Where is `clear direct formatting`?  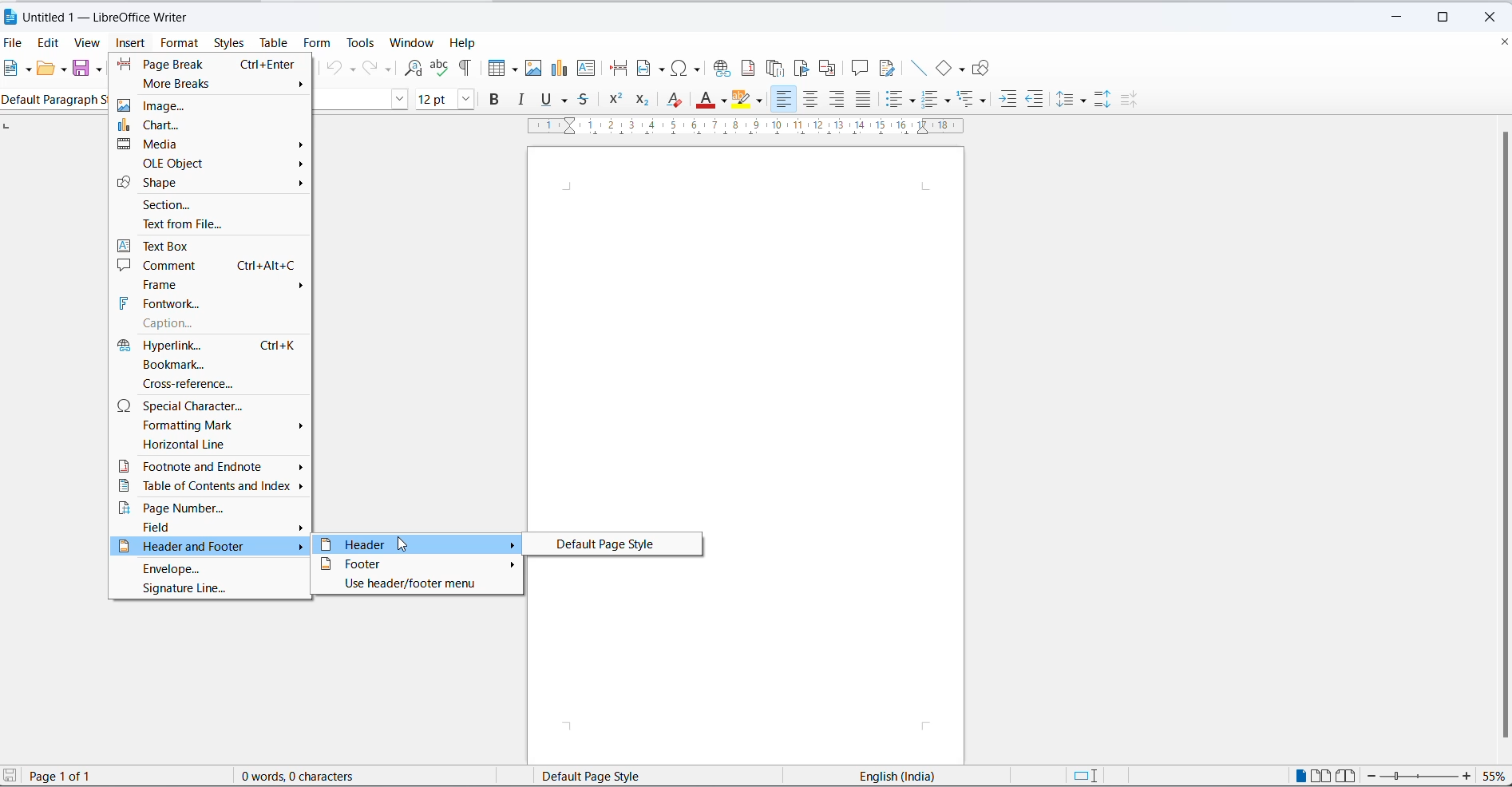
clear direct formatting is located at coordinates (675, 99).